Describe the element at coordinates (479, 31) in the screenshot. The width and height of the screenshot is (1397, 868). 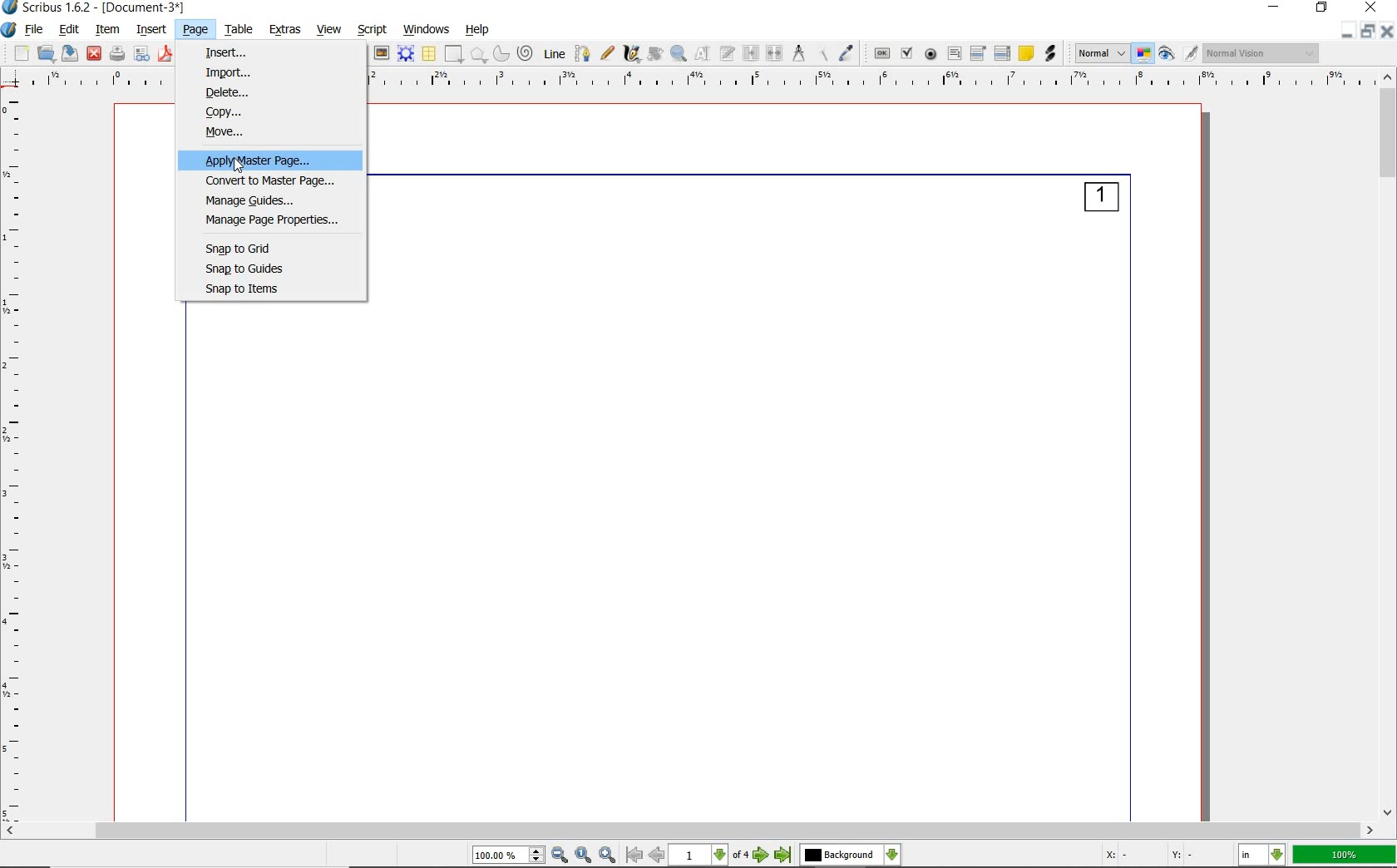
I see `help` at that location.